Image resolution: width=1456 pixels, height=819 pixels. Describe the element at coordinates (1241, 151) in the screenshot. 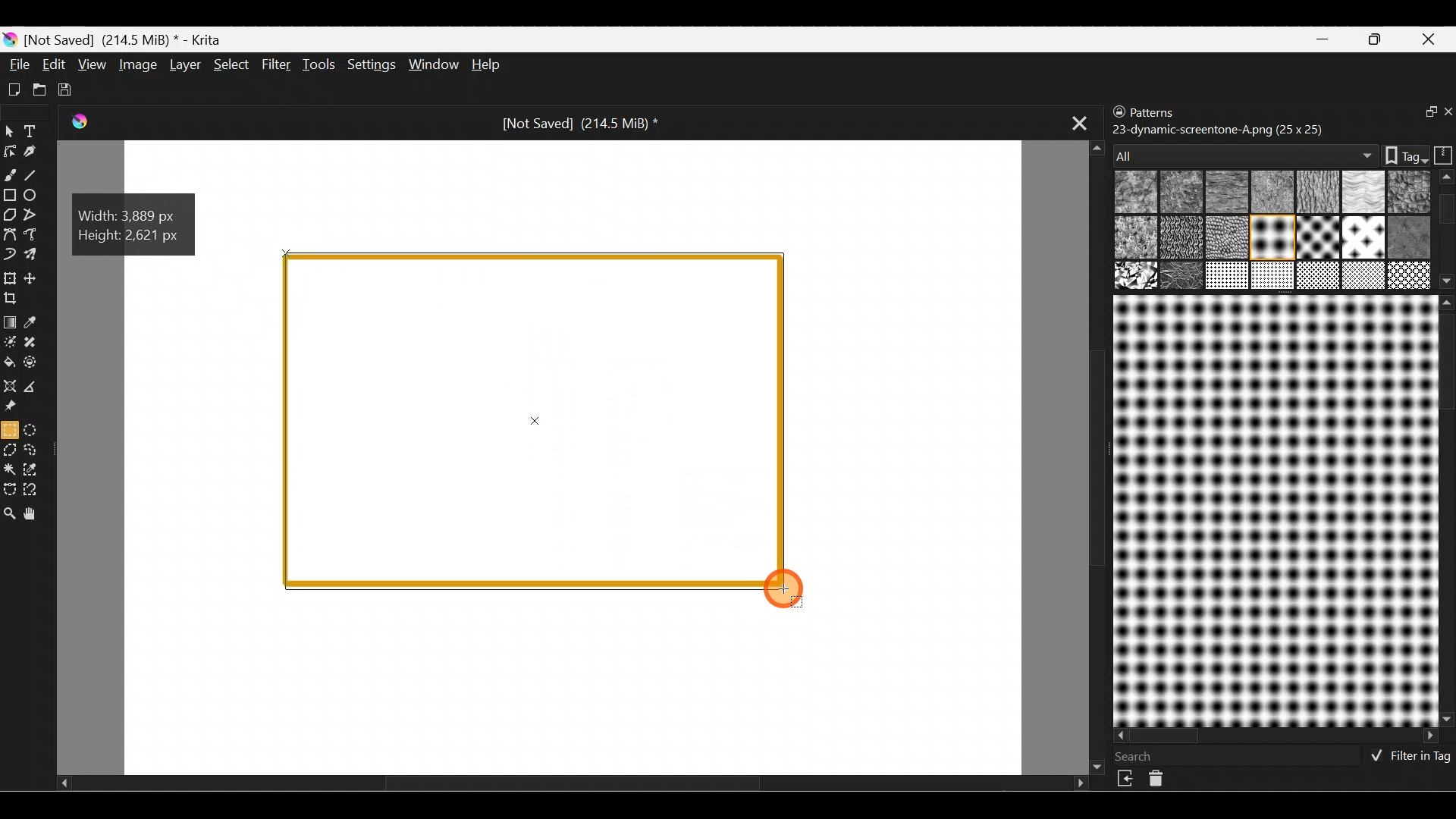

I see `All patterns` at that location.